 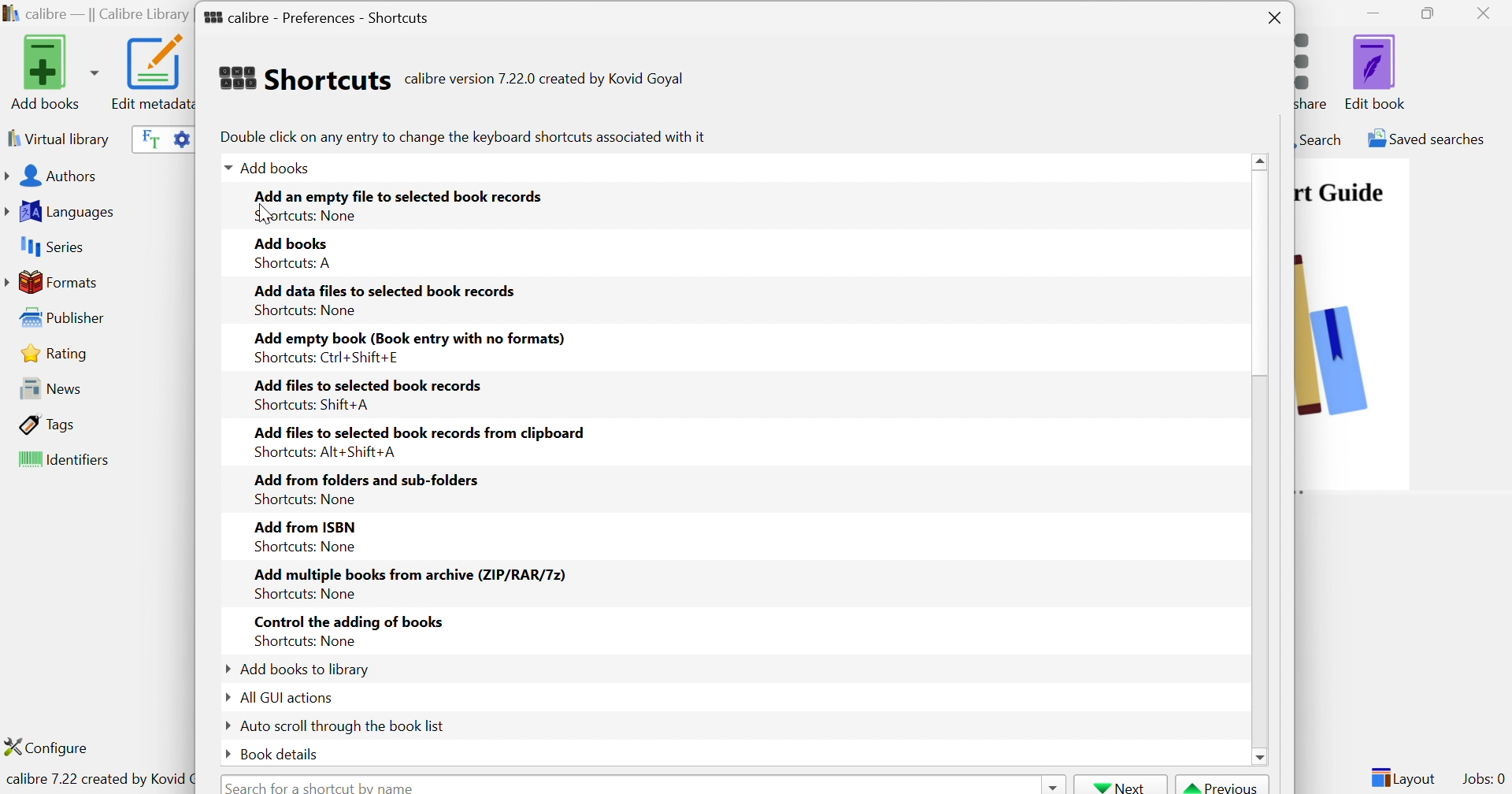 I want to click on calibre 7.22 created by Kovid, so click(x=97, y=781).